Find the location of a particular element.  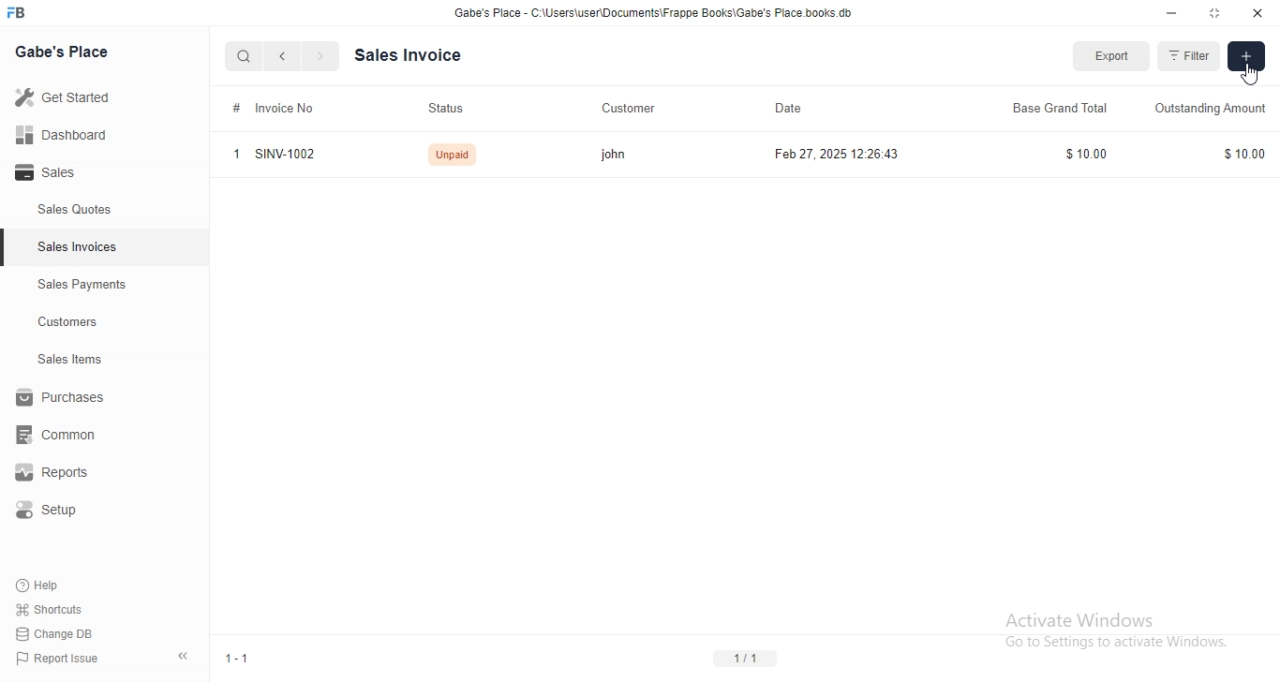

Reports is located at coordinates (65, 475).